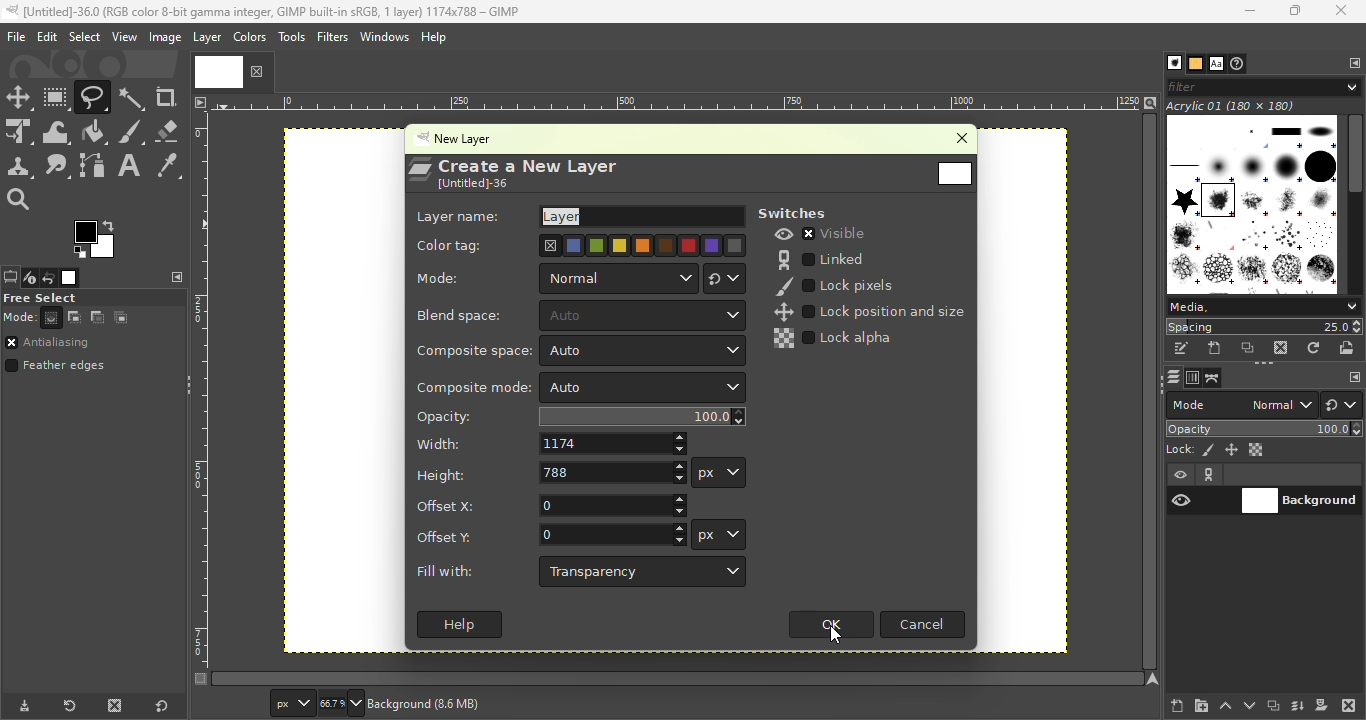 The width and height of the screenshot is (1366, 720). Describe the element at coordinates (436, 37) in the screenshot. I see `Help` at that location.